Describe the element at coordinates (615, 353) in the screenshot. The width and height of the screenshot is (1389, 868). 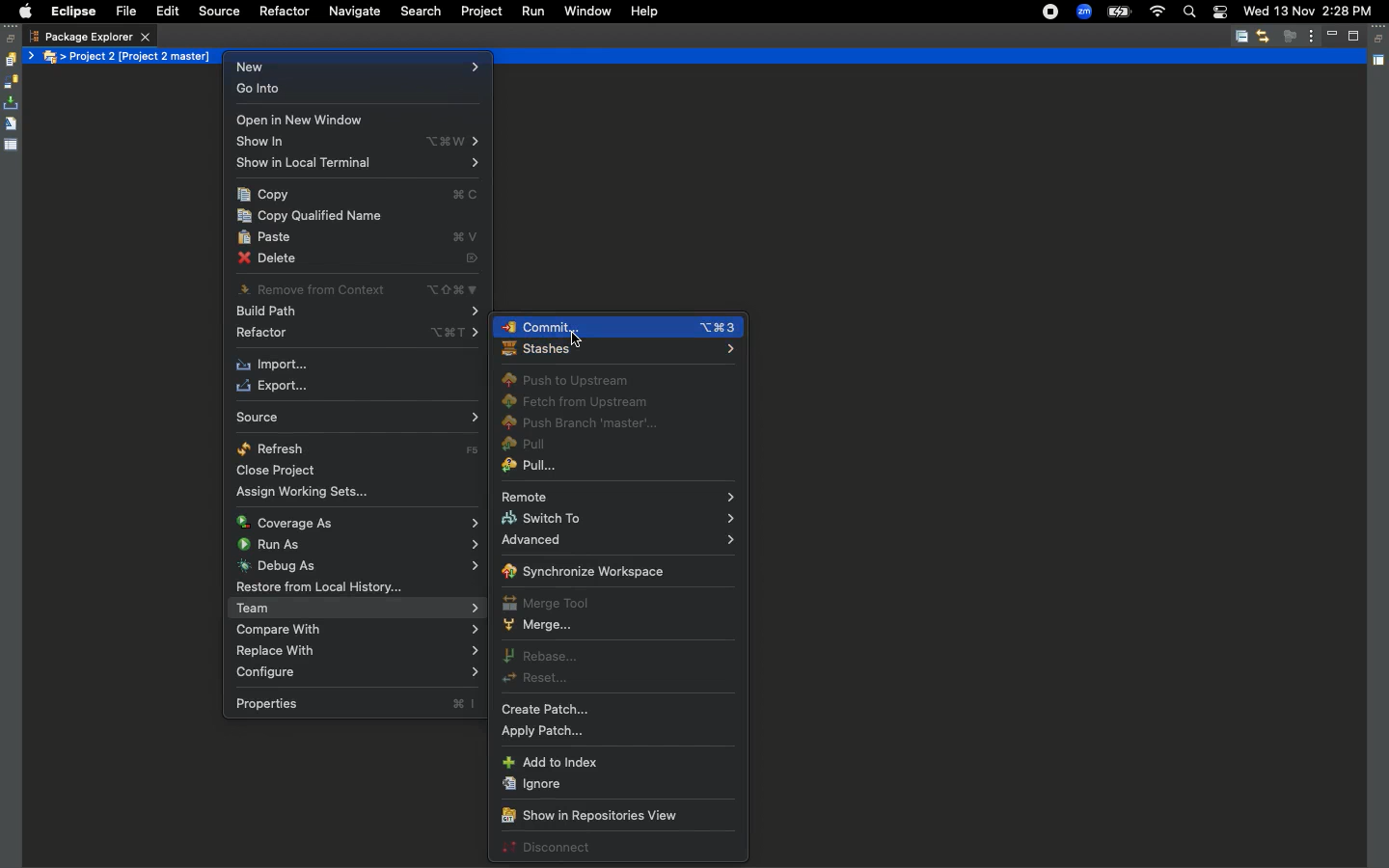
I see `Stashes` at that location.